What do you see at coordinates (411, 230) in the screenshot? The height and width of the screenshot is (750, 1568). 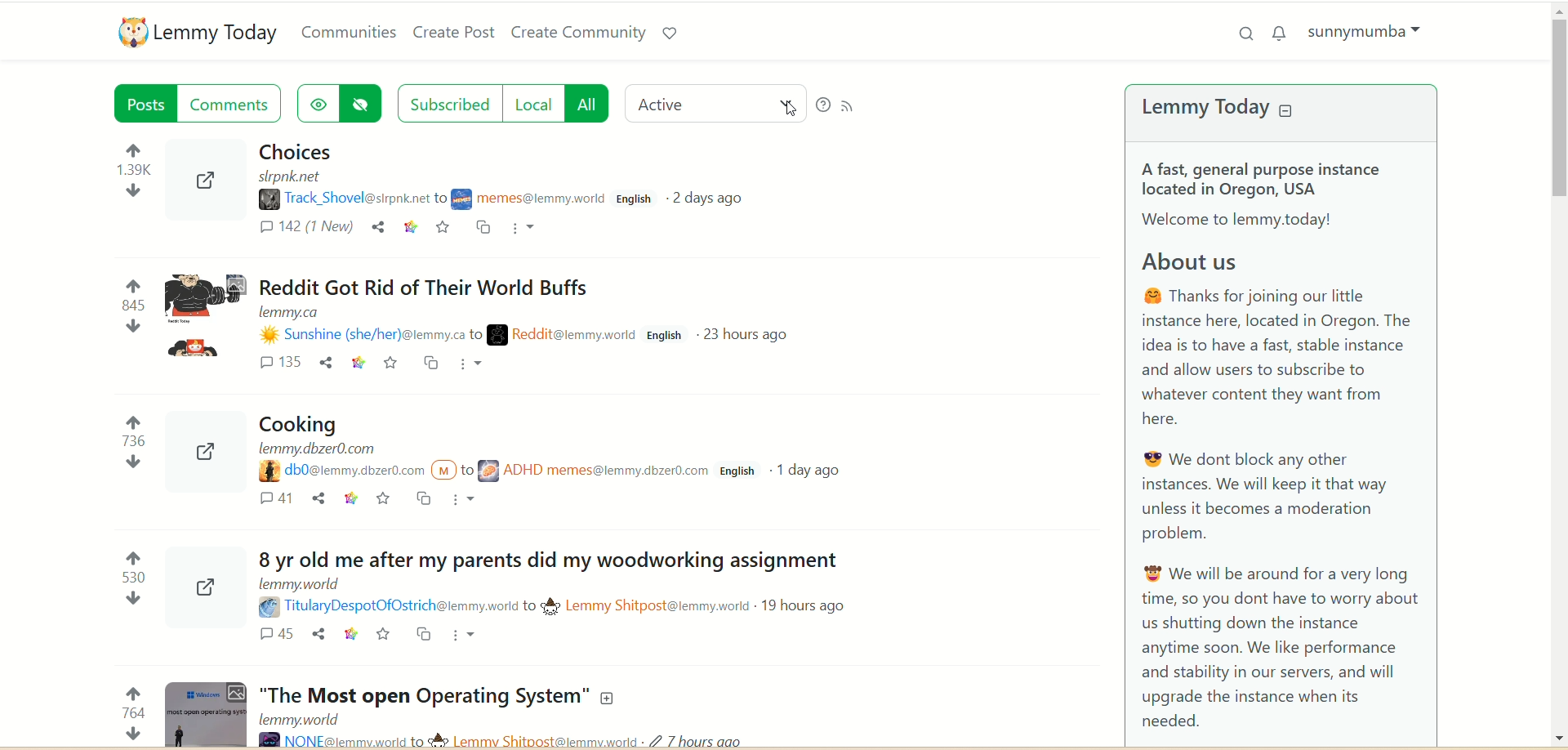 I see `context` at bounding box center [411, 230].